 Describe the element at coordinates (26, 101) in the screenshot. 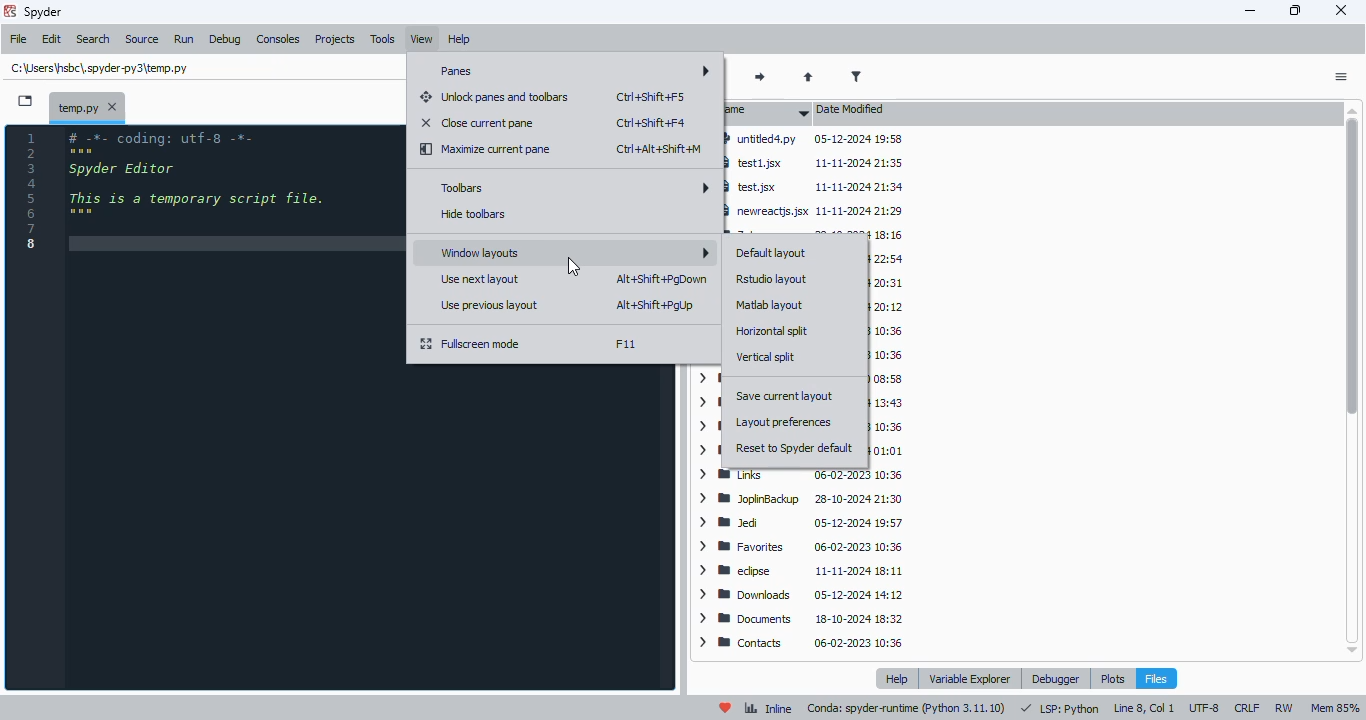

I see `browse tabs` at that location.